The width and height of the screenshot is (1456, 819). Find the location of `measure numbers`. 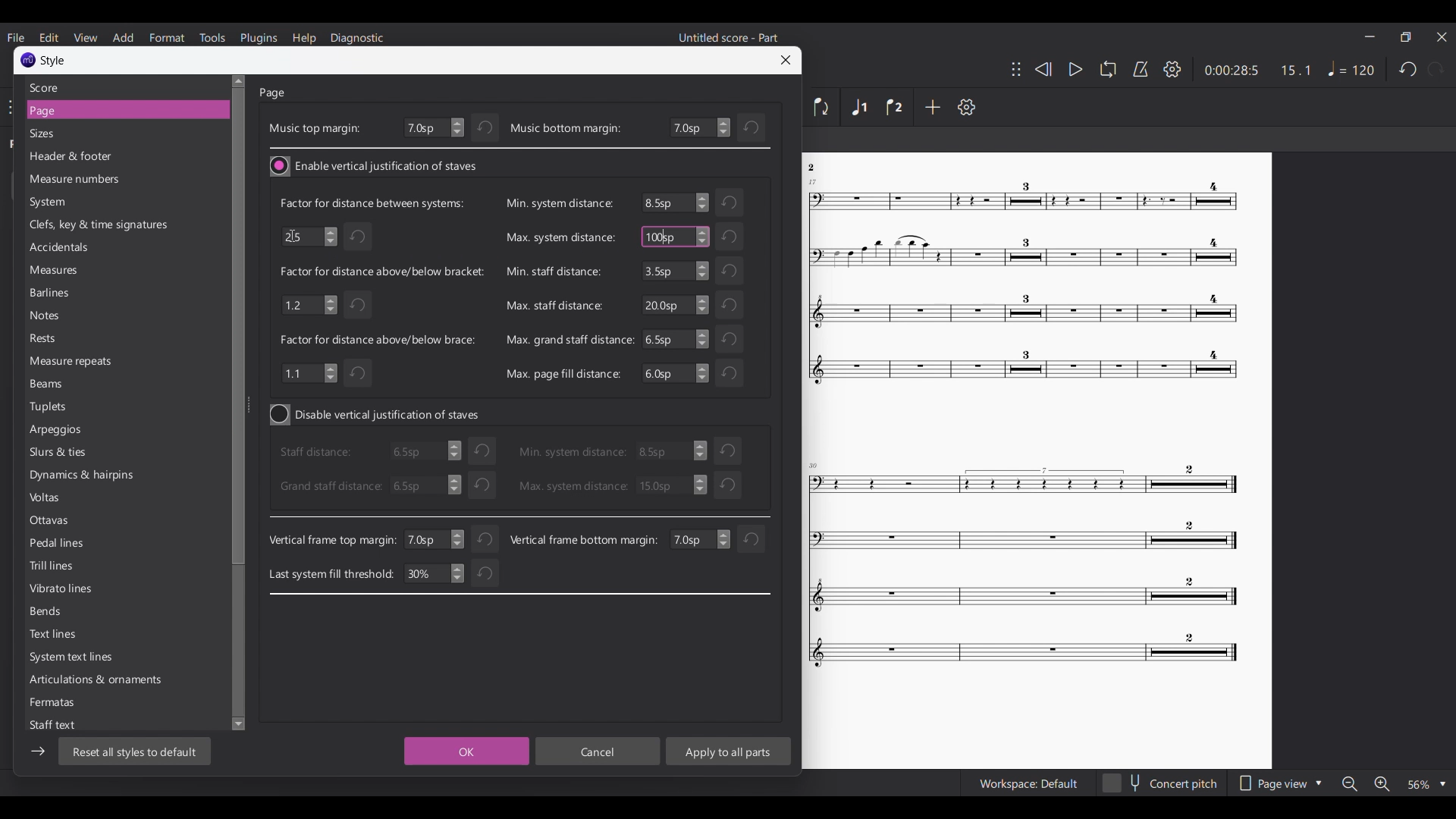

measure numbers is located at coordinates (112, 180).